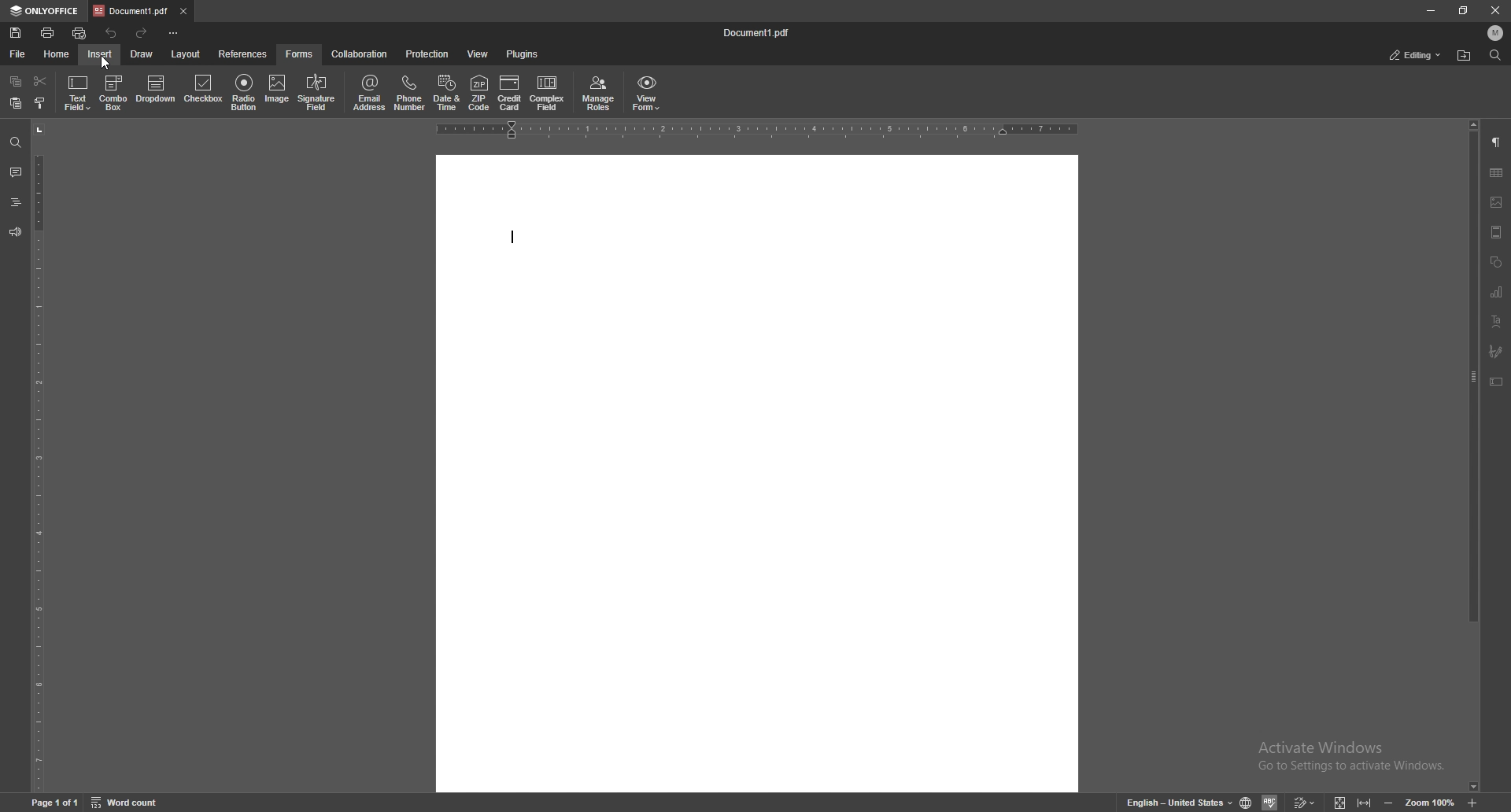 The image size is (1511, 812). What do you see at coordinates (1340, 803) in the screenshot?
I see `fit screen` at bounding box center [1340, 803].